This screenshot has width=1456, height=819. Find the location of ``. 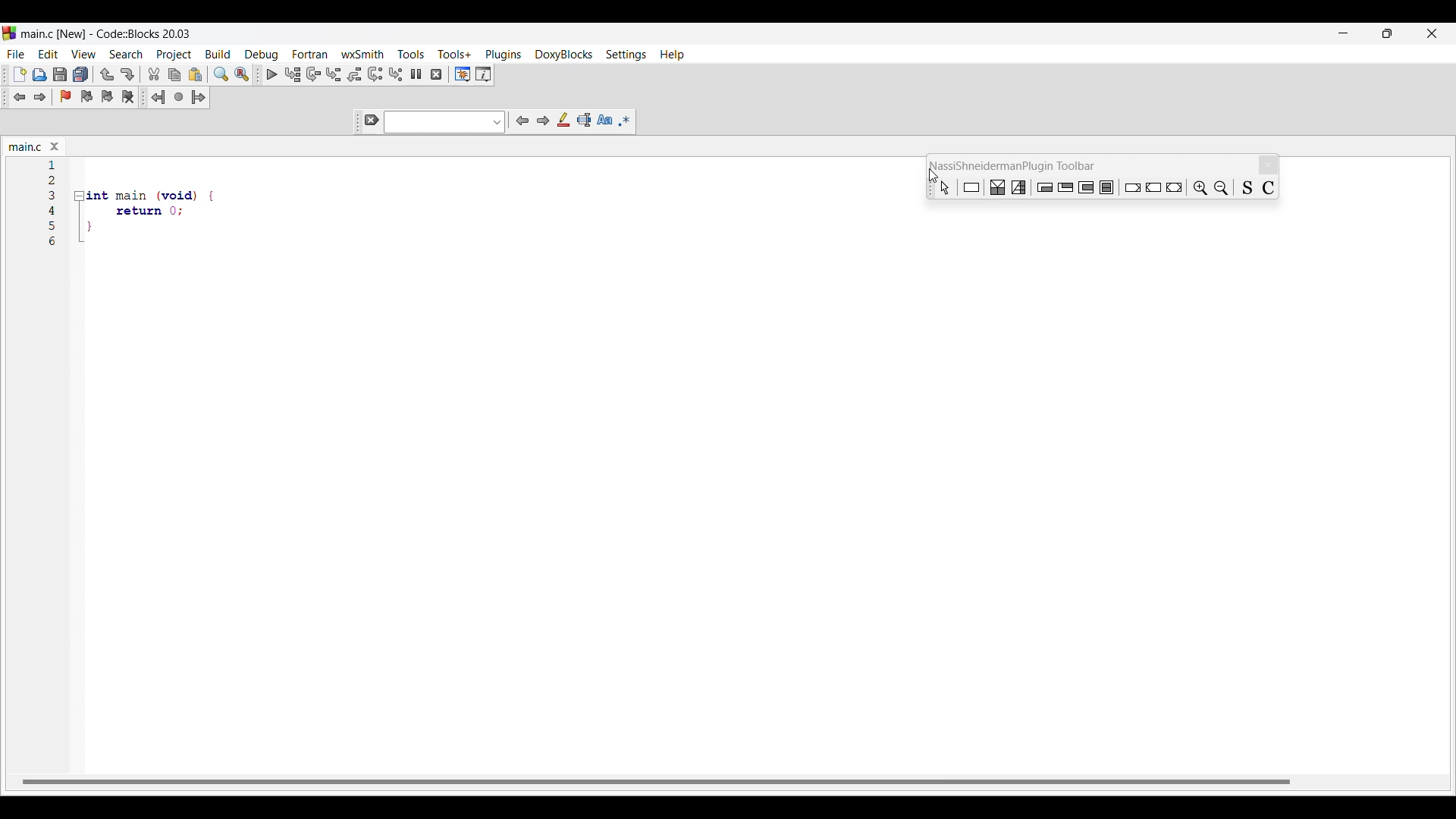

 is located at coordinates (138, 211).